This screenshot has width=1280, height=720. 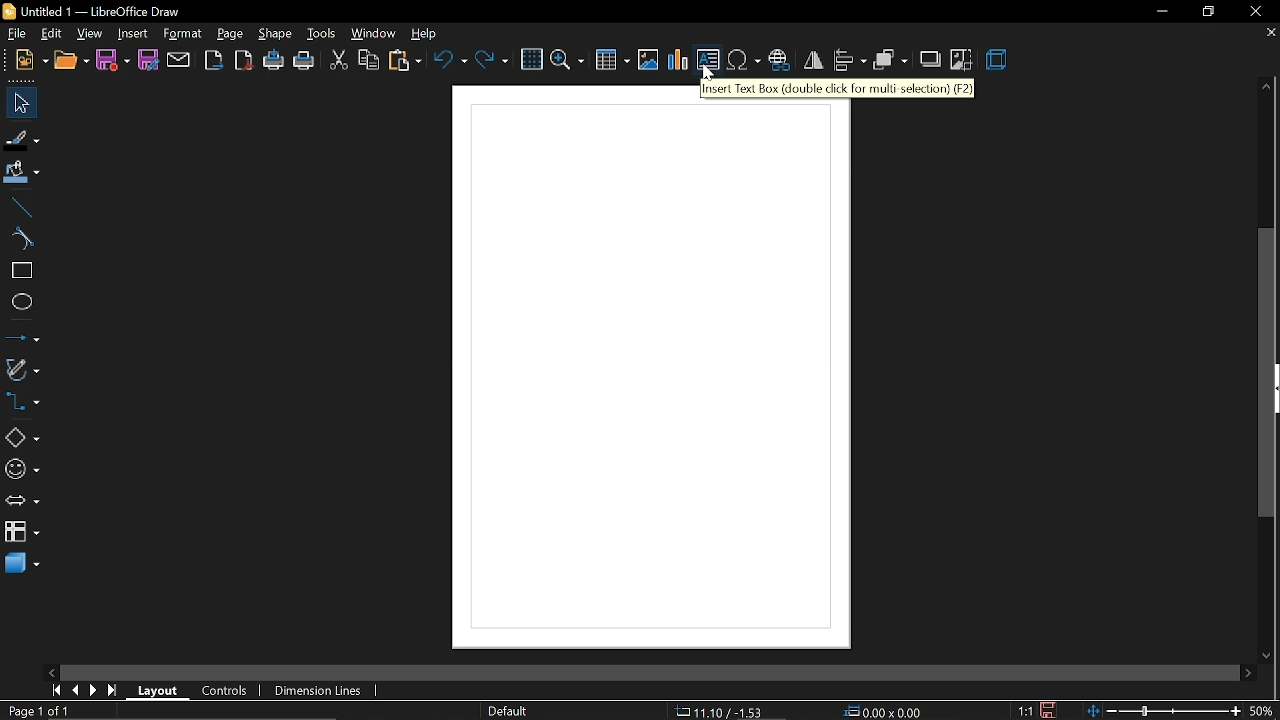 What do you see at coordinates (1265, 33) in the screenshot?
I see `close current tab` at bounding box center [1265, 33].